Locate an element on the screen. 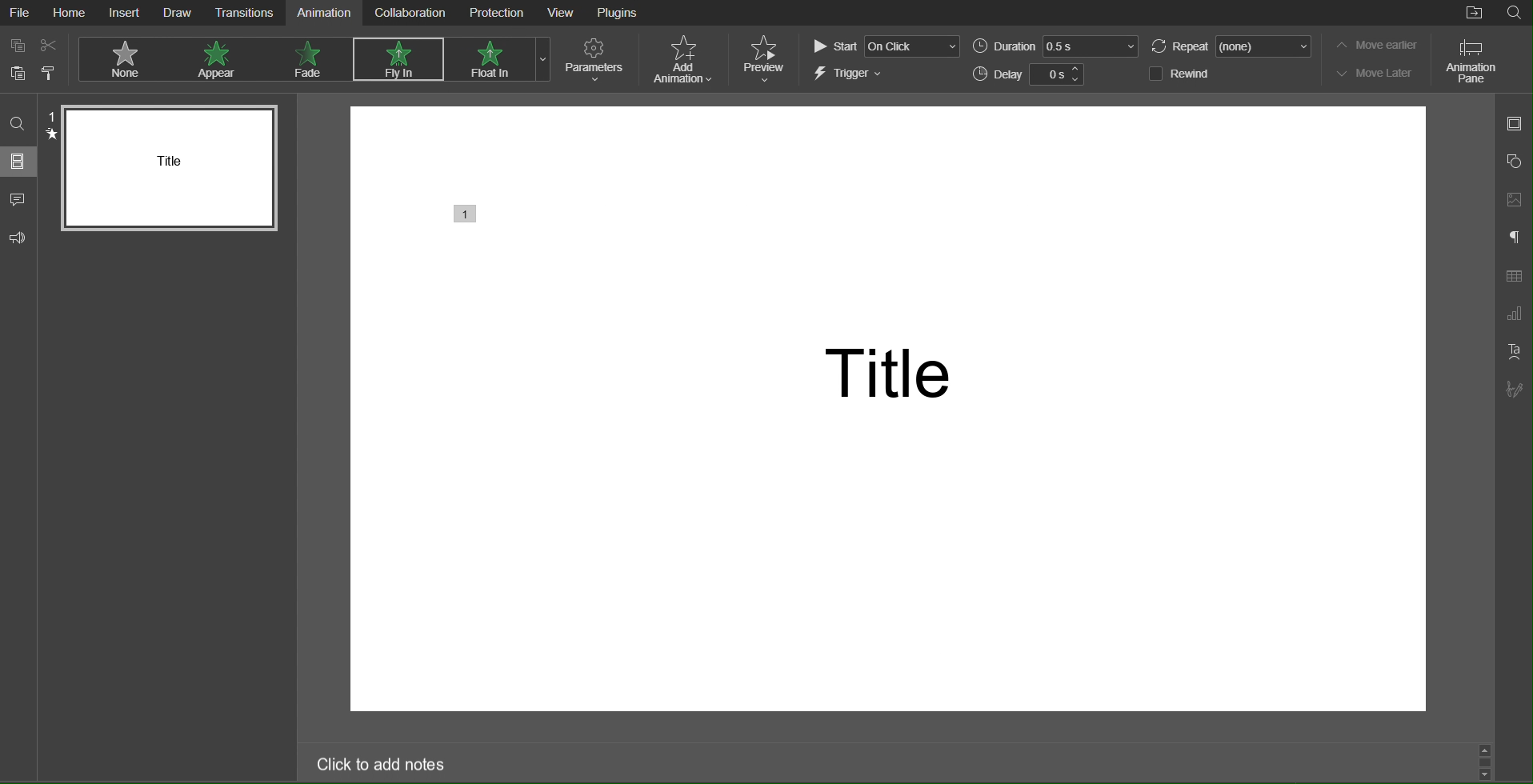 The image size is (1533, 784). Delay is located at coordinates (1033, 74).